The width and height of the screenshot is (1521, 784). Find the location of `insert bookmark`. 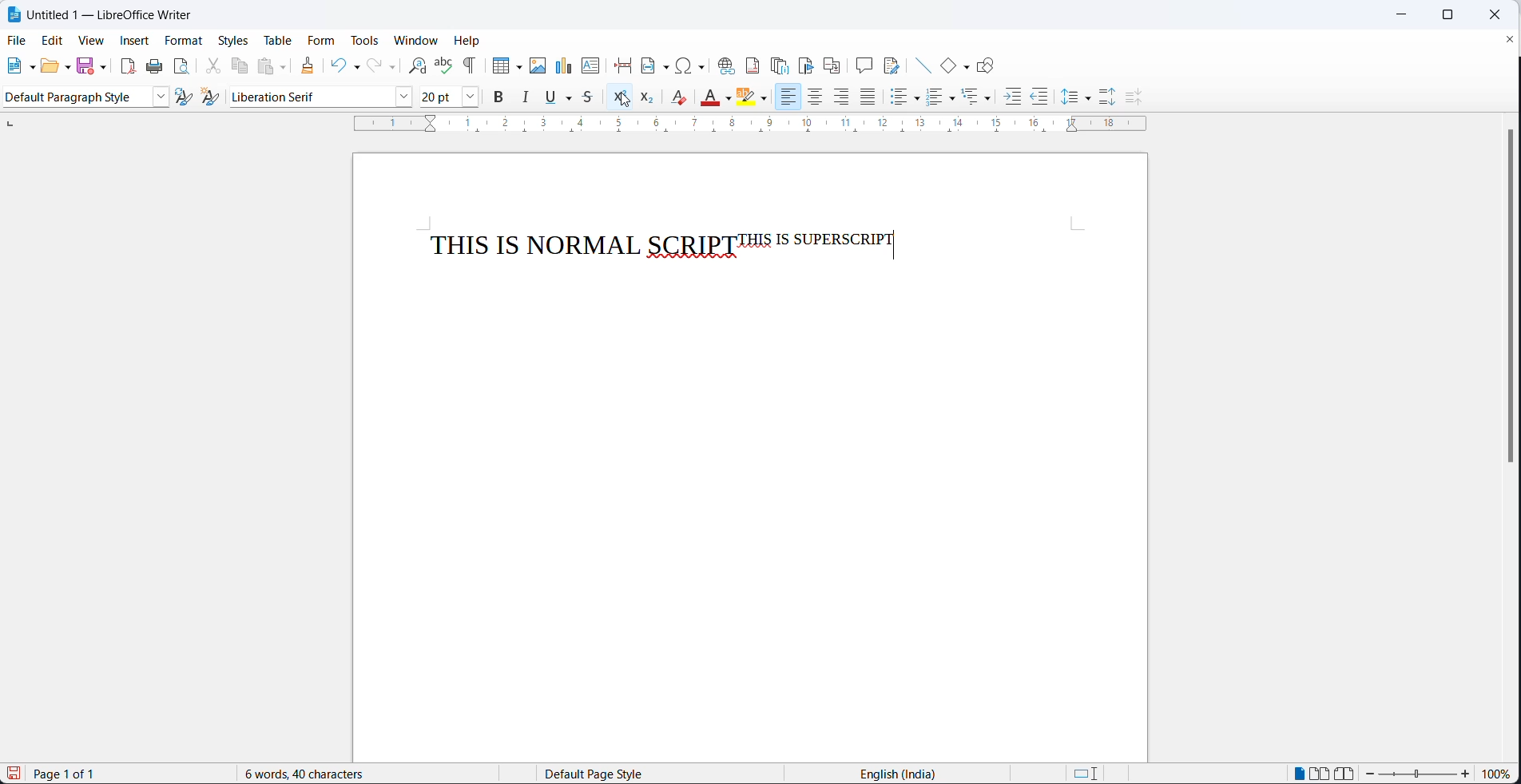

insert bookmark is located at coordinates (808, 65).